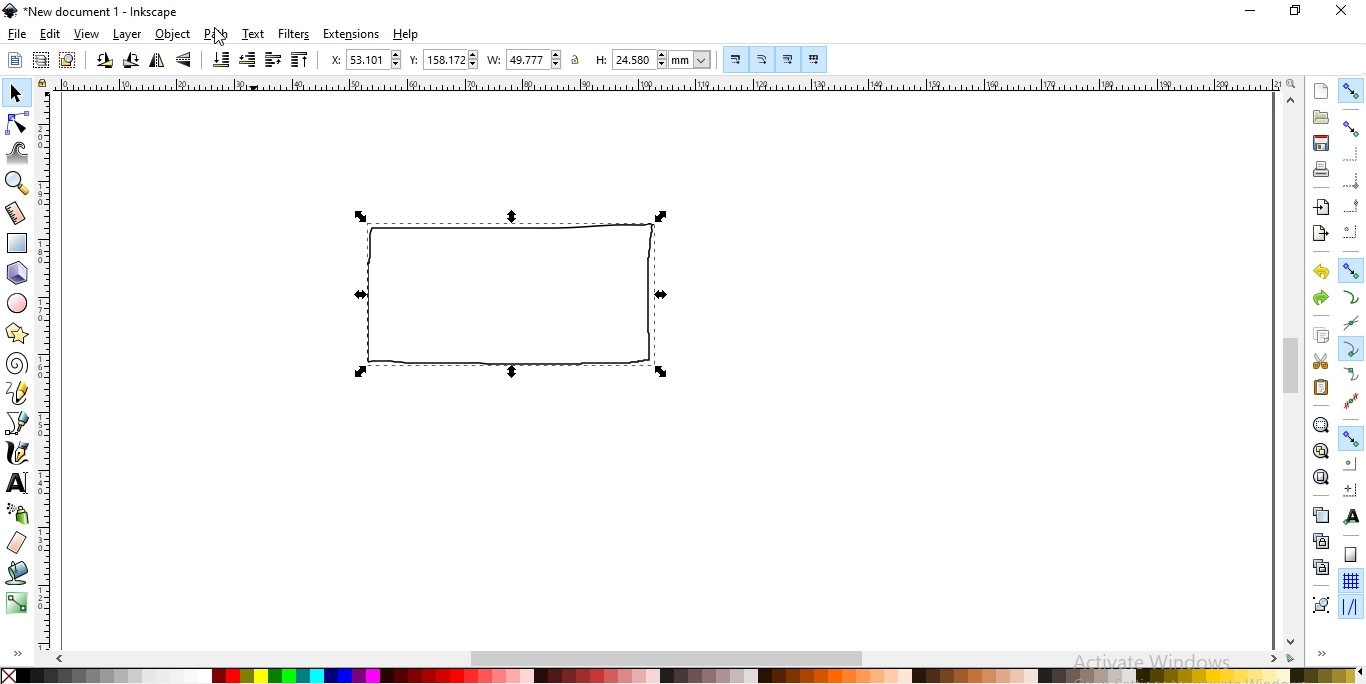 This screenshot has width=1366, height=684. I want to click on import a bitmap, so click(1322, 208).